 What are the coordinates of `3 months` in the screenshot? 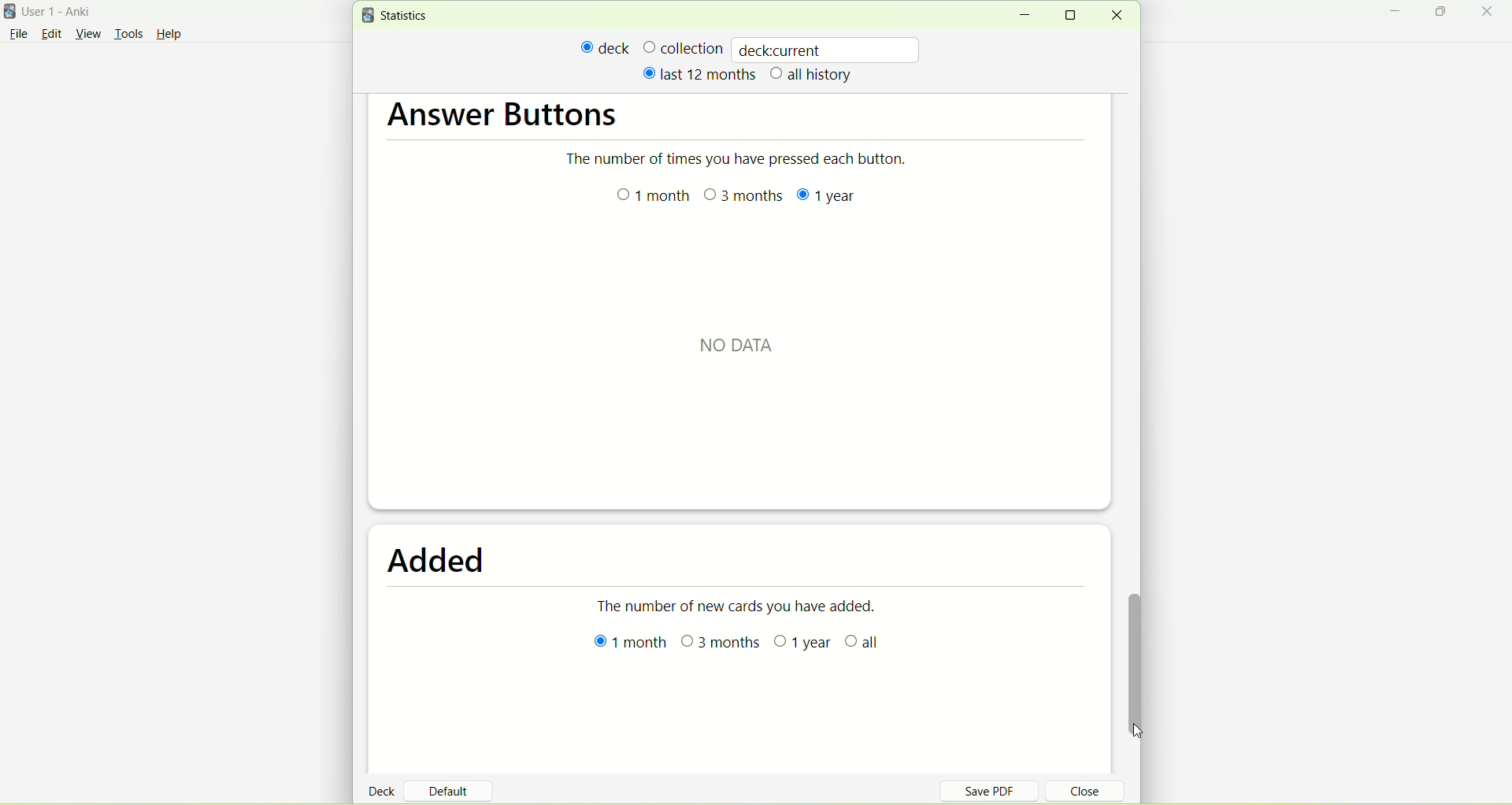 It's located at (721, 647).